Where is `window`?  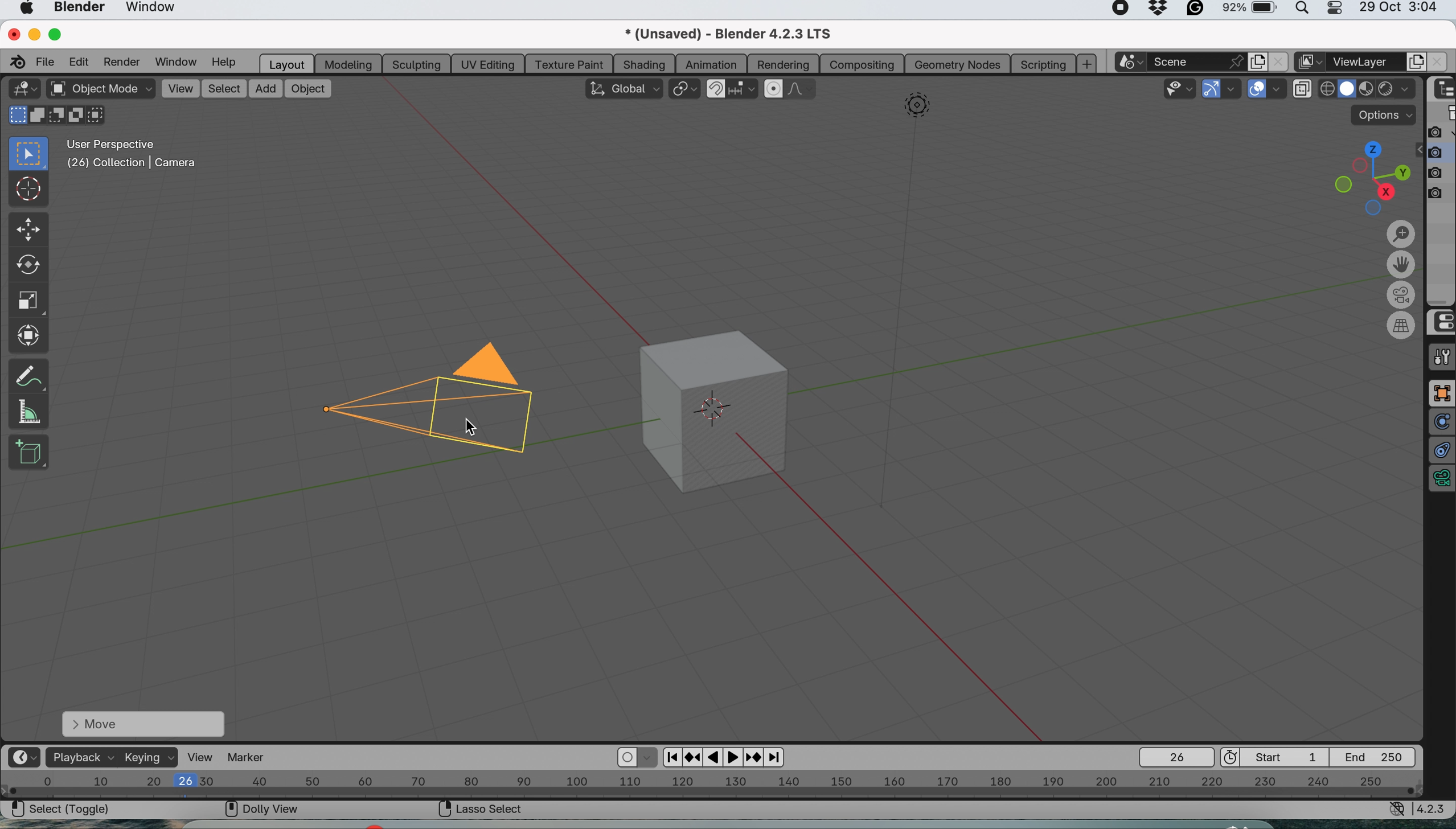
window is located at coordinates (157, 10).